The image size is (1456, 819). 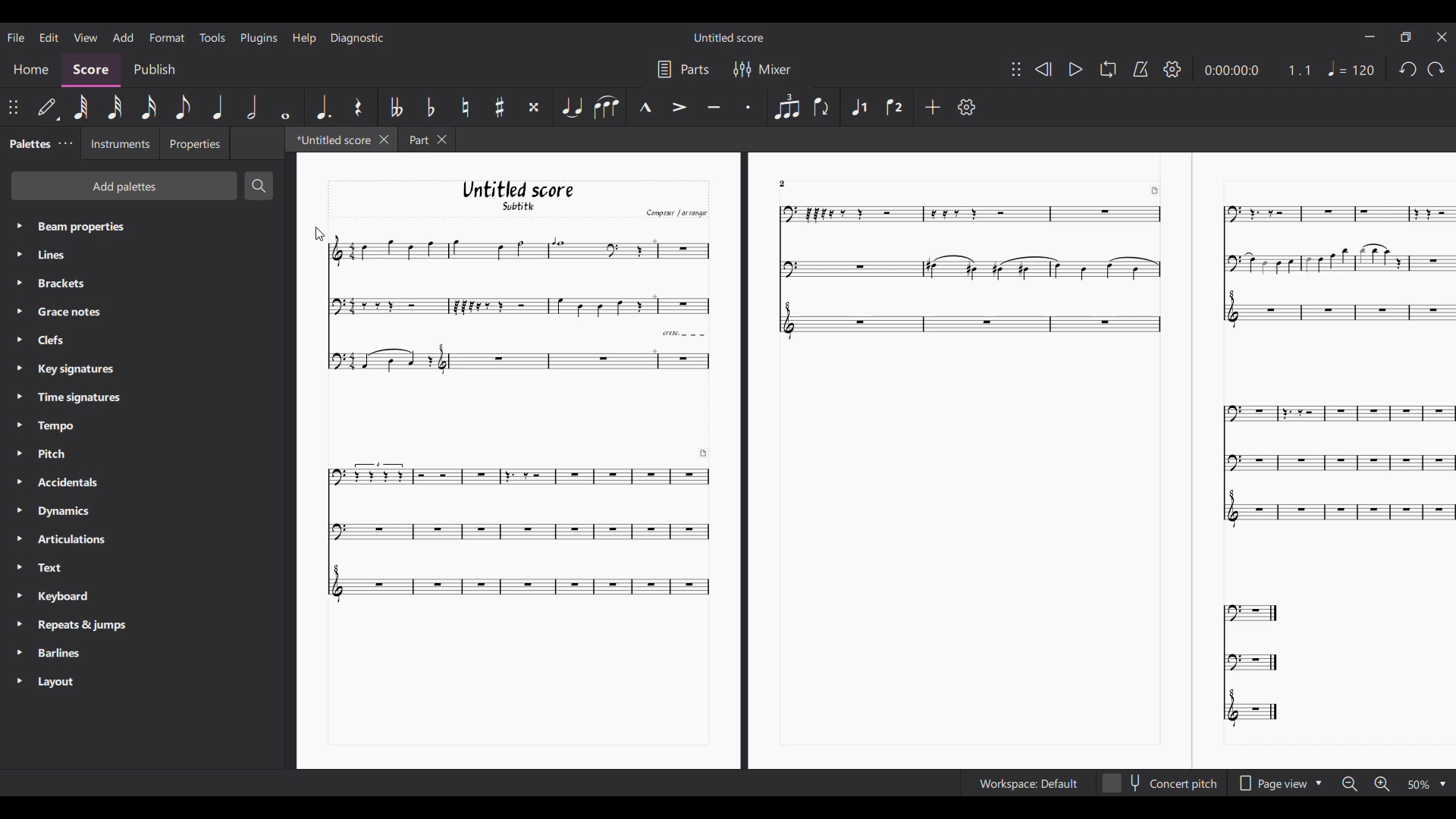 I want to click on , so click(x=18, y=654).